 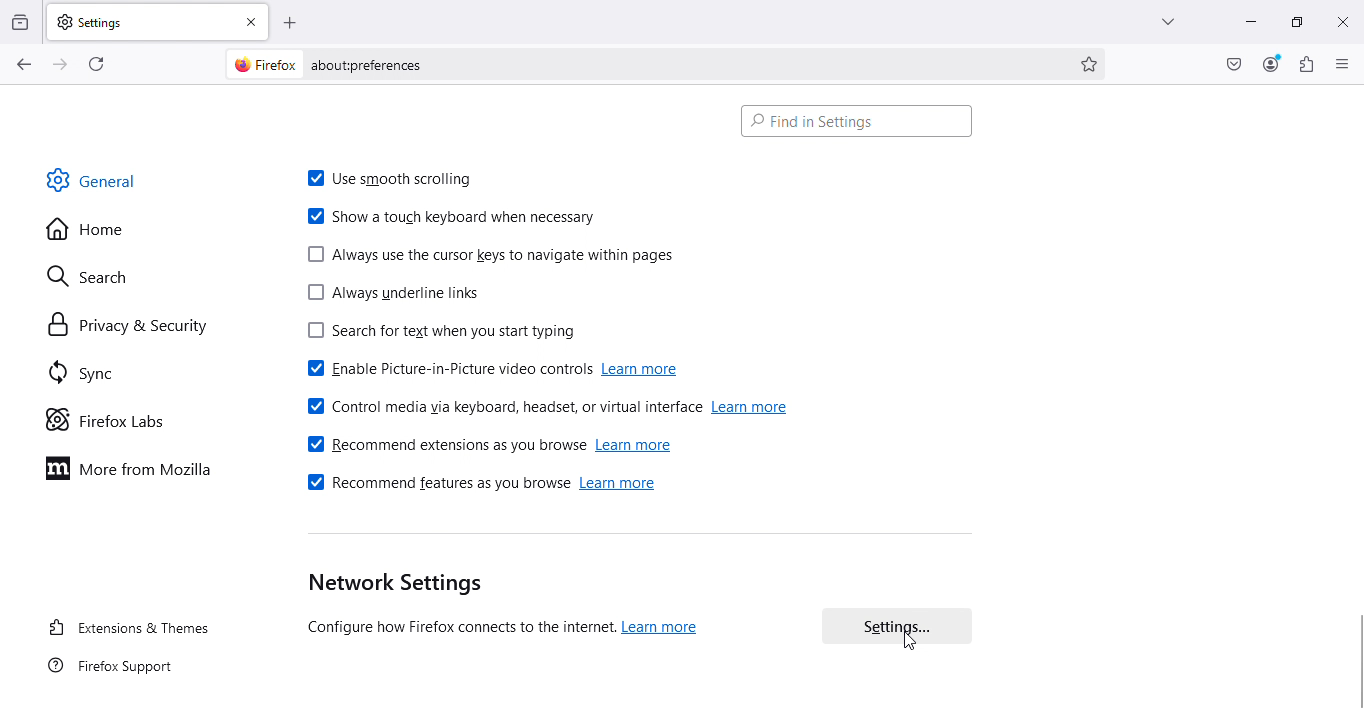 I want to click on Show a touch keyboard when necessary, so click(x=454, y=218).